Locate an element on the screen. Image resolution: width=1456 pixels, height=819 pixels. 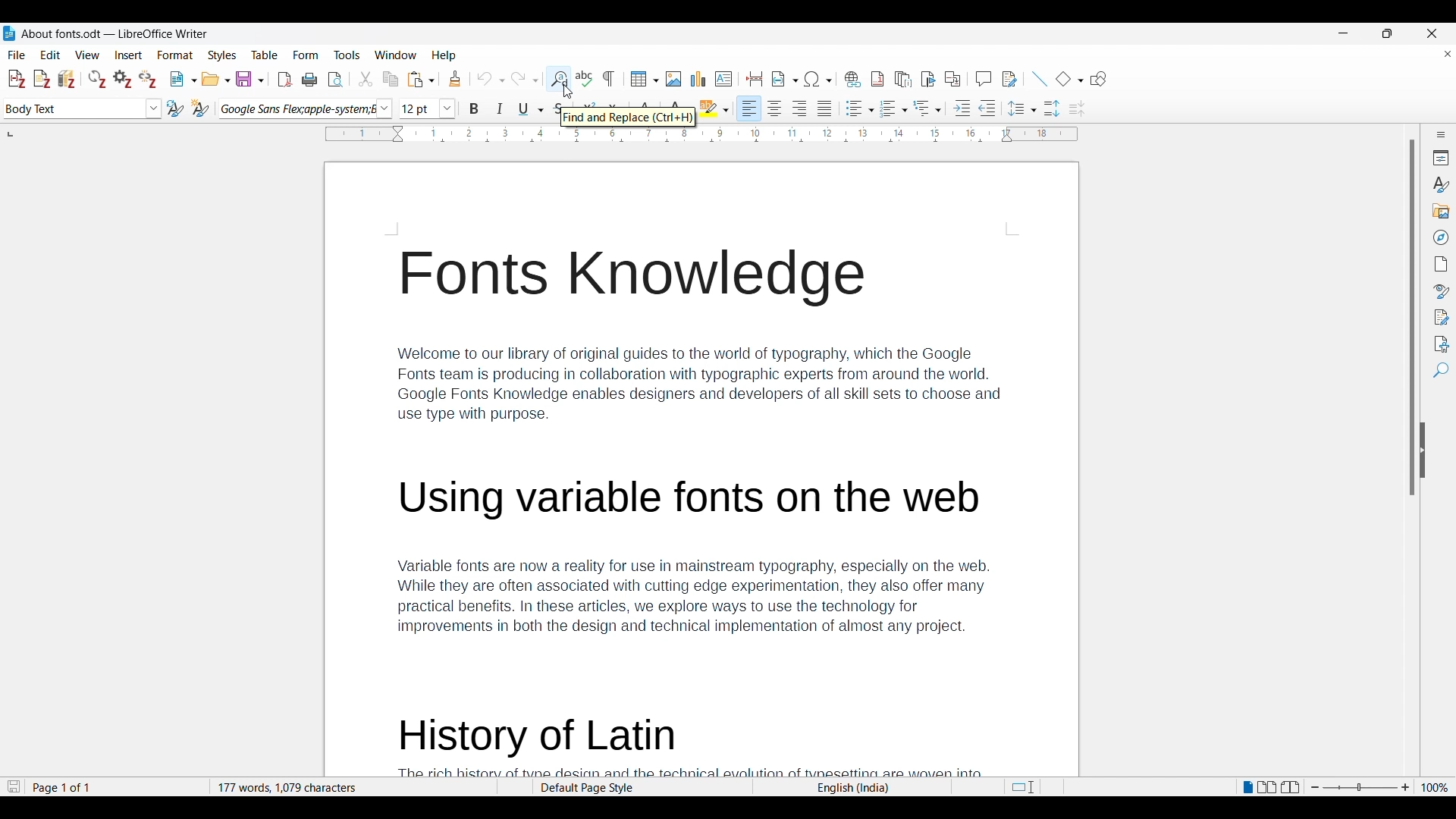
Export directly as PDF is located at coordinates (285, 80).